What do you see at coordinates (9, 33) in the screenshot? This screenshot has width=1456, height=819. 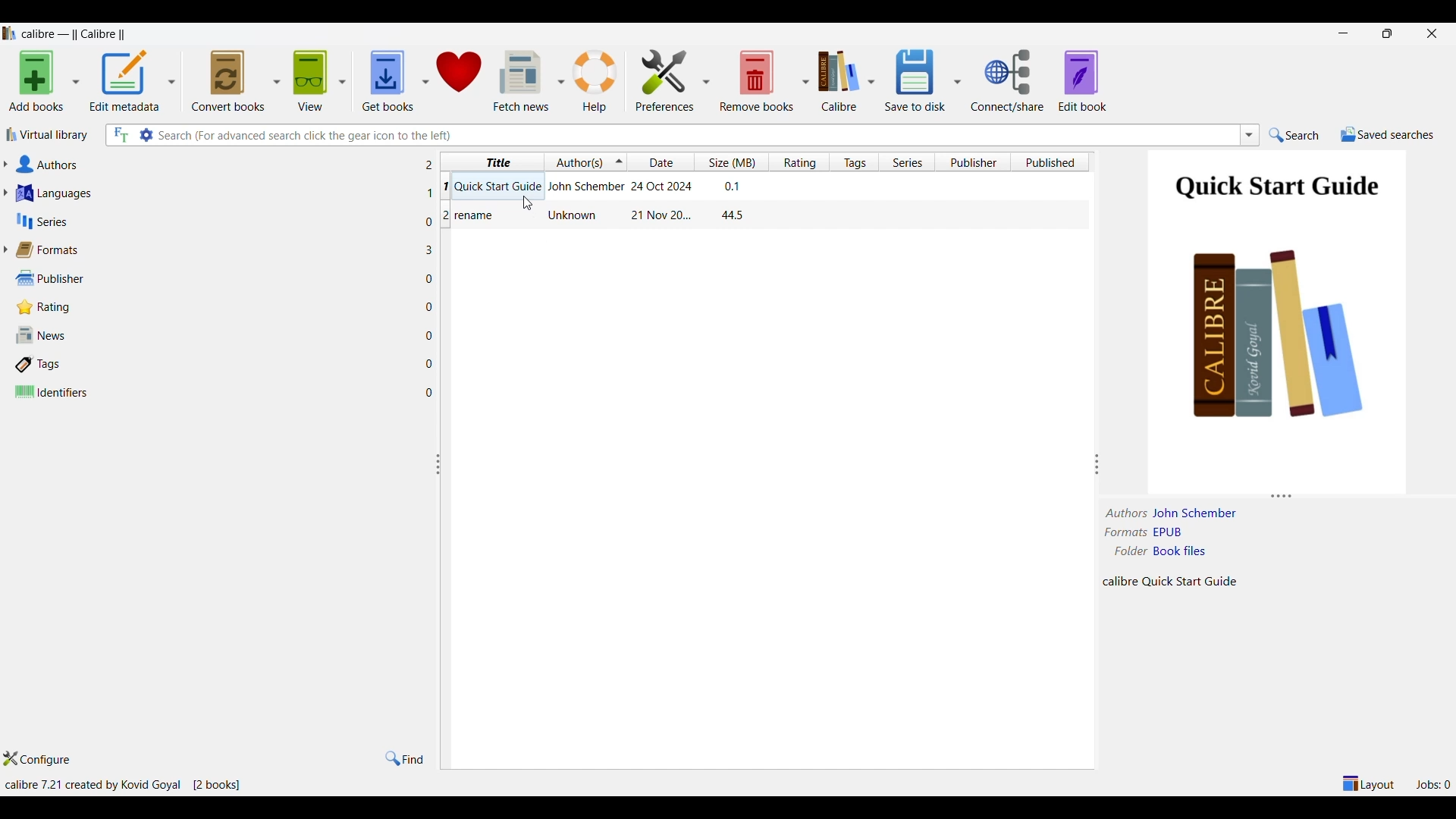 I see `Software logo` at bounding box center [9, 33].